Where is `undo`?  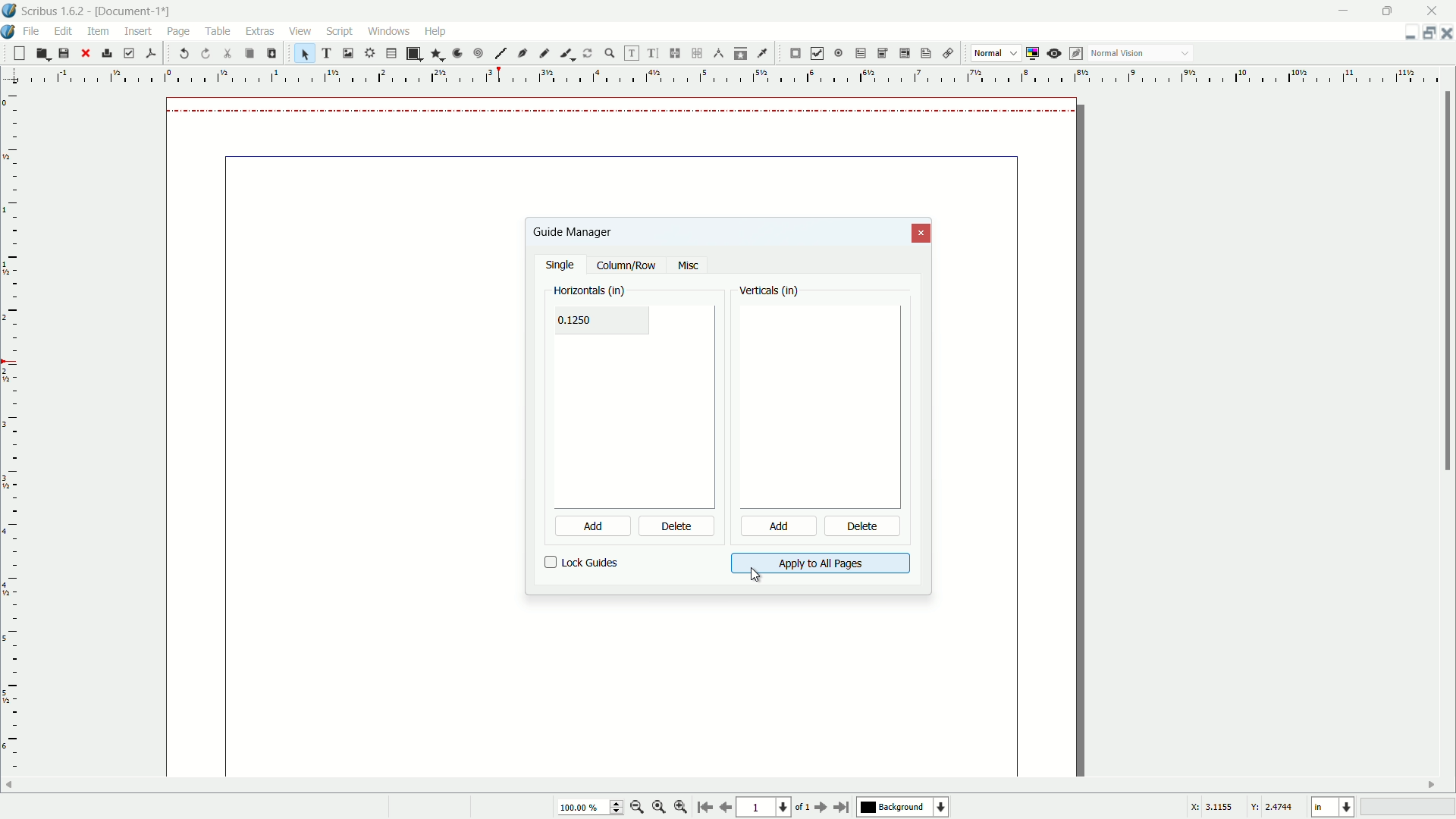 undo is located at coordinates (185, 54).